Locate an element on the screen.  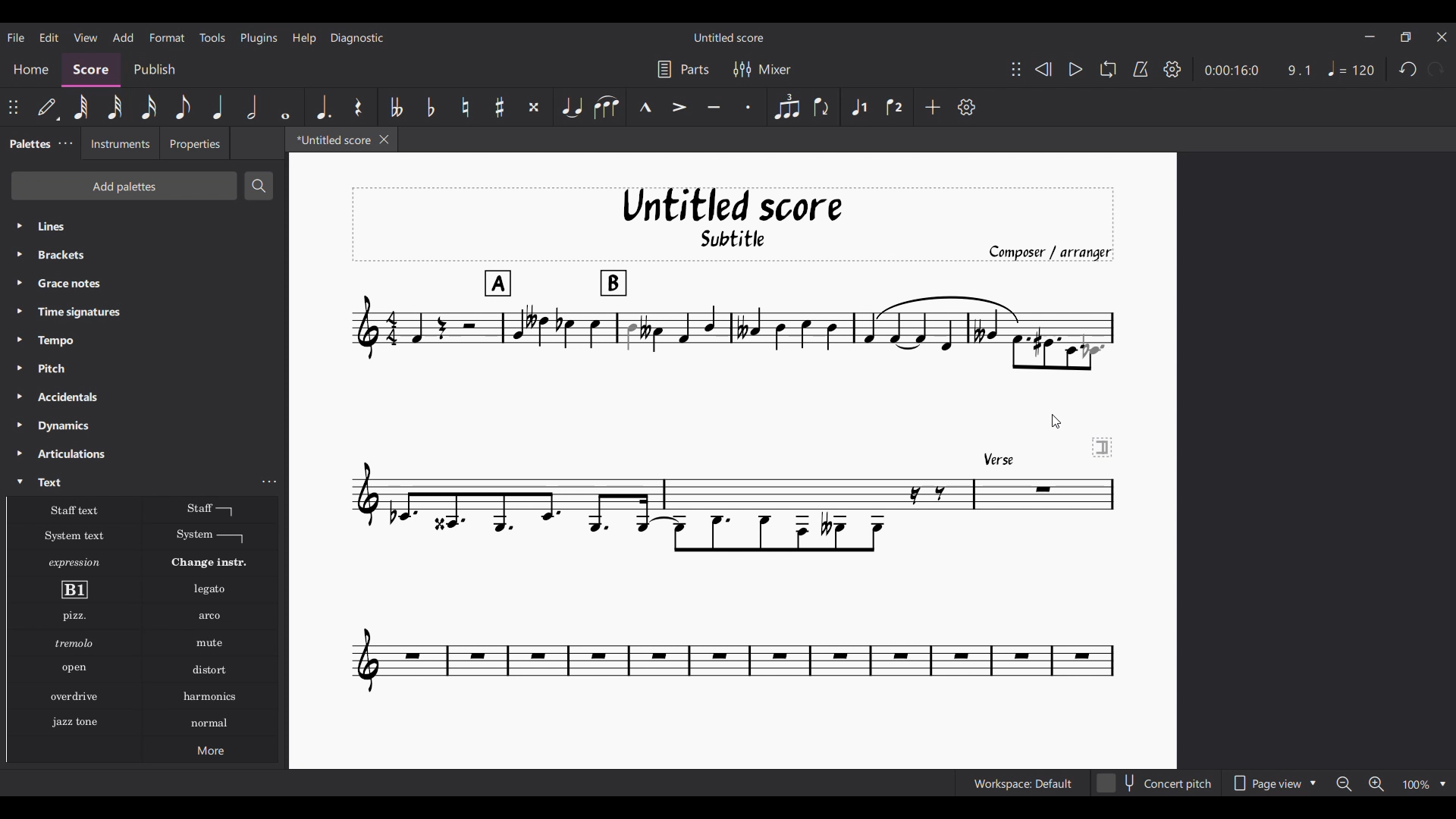
0:00:16:0 is located at coordinates (1232, 71).